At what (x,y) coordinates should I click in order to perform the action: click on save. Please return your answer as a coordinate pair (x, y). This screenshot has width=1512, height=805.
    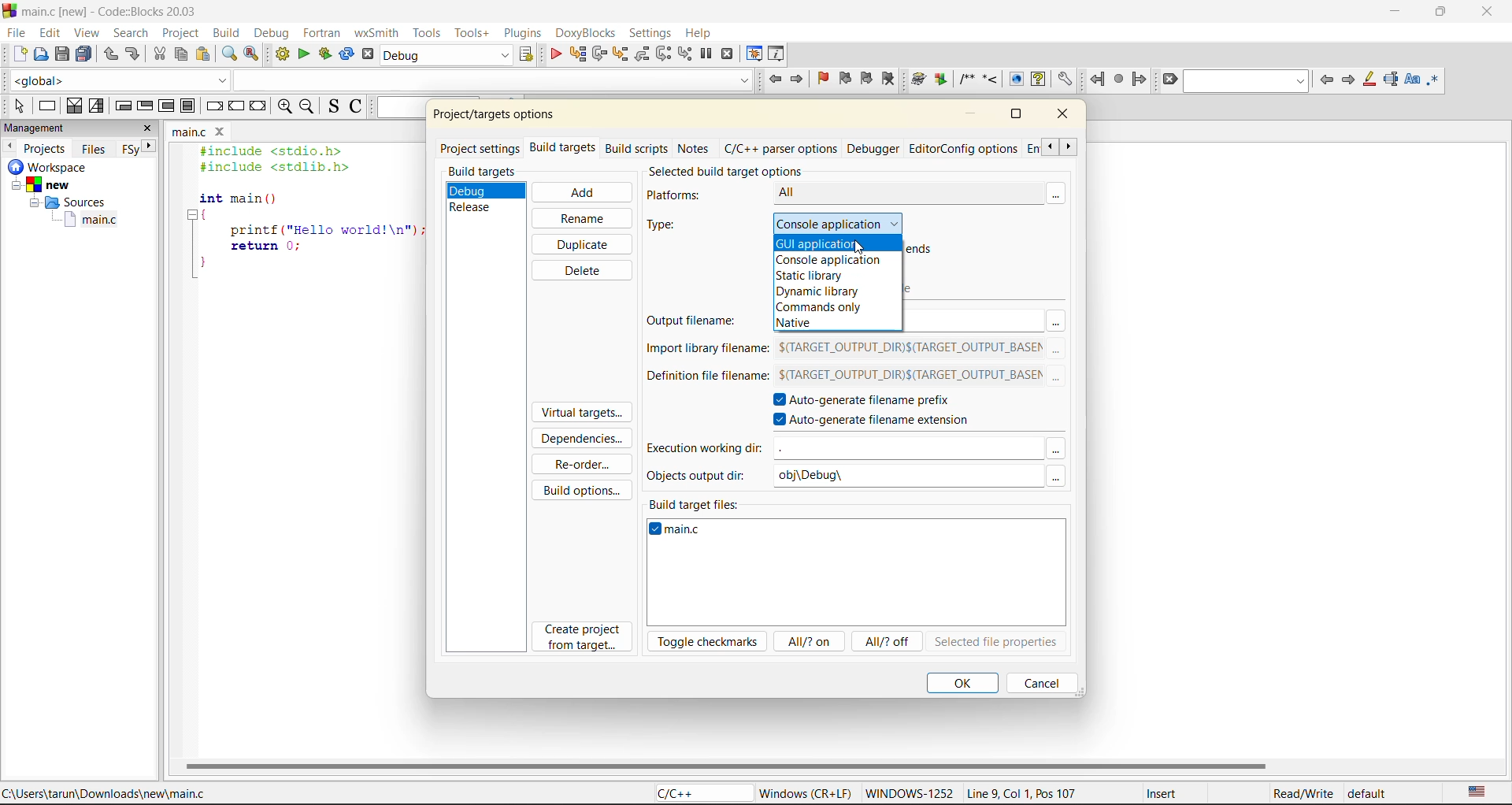
    Looking at the image, I should click on (61, 54).